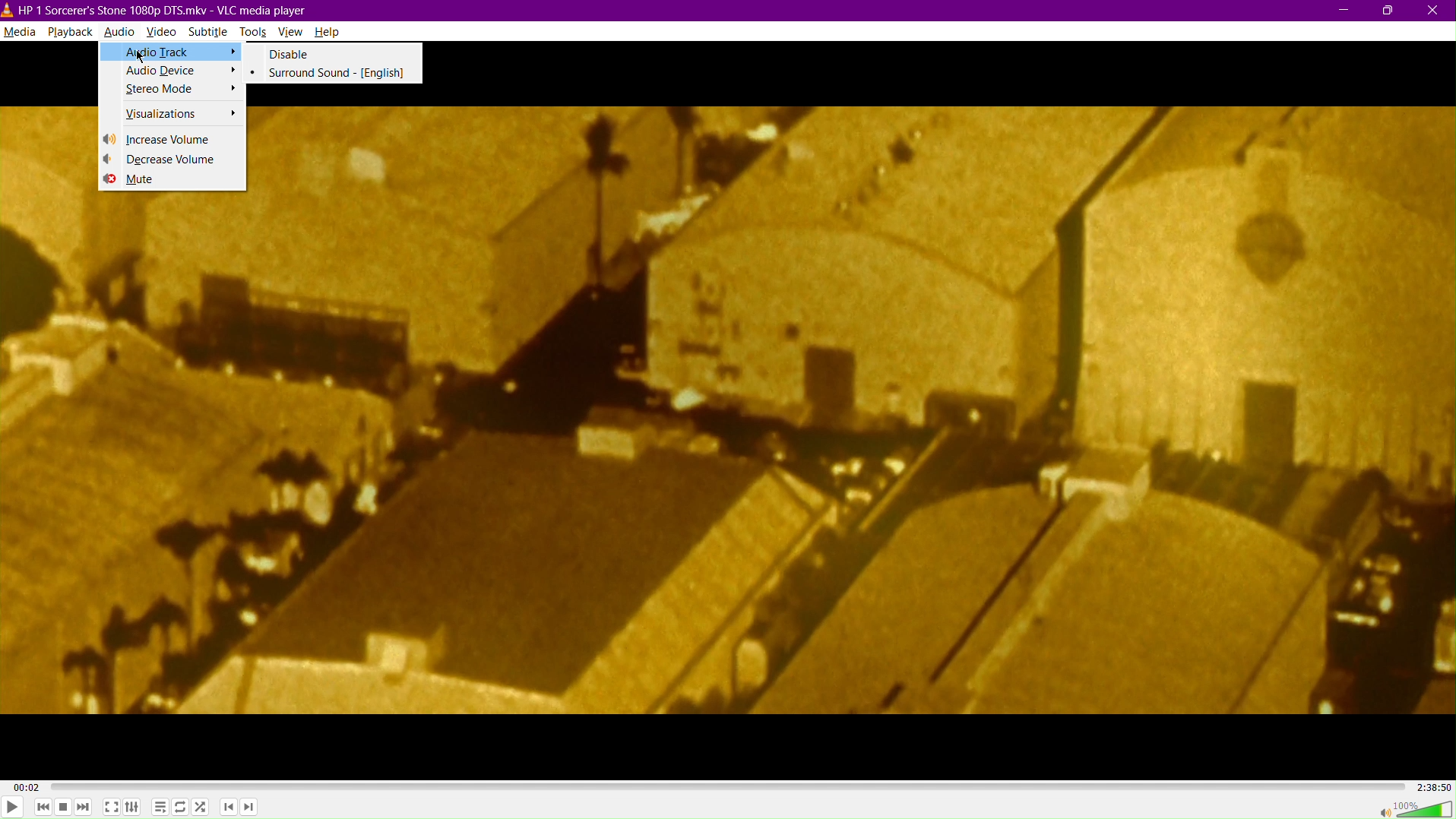  What do you see at coordinates (163, 33) in the screenshot?
I see `Video` at bounding box center [163, 33].